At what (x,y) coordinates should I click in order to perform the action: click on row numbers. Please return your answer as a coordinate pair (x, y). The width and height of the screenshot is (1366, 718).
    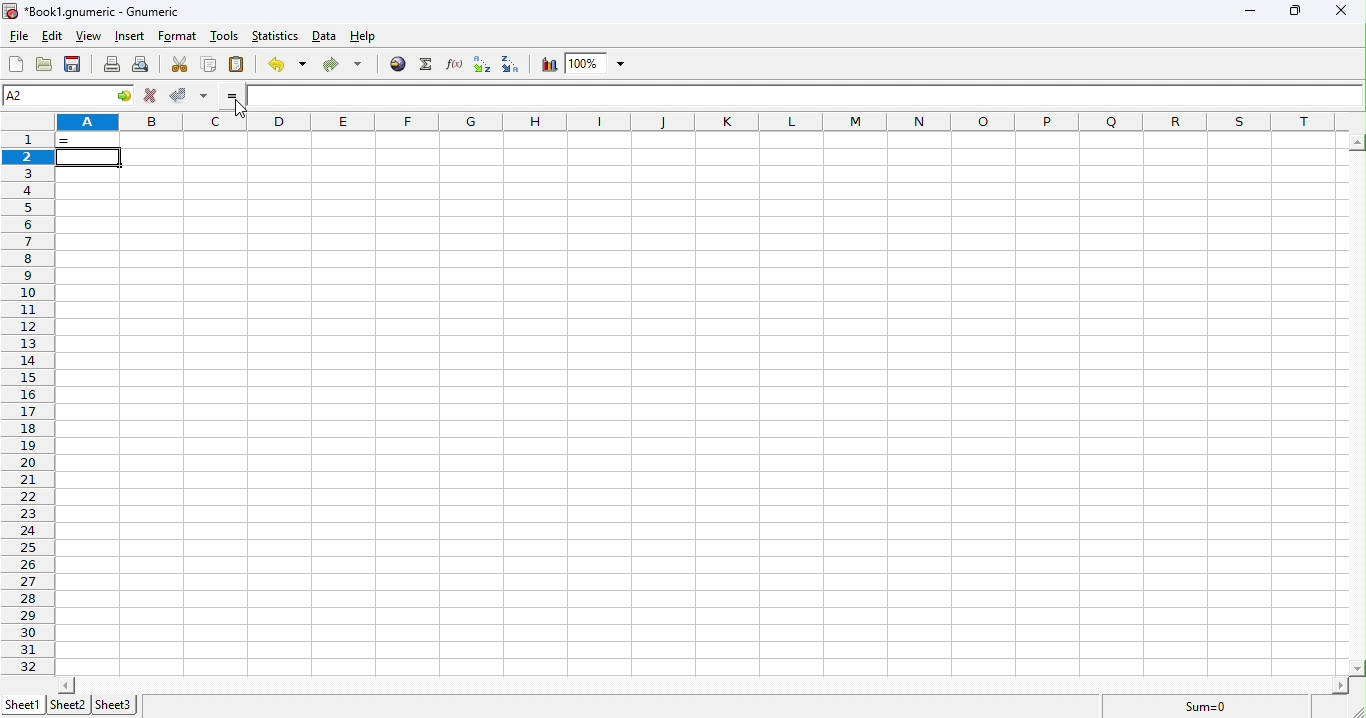
    Looking at the image, I should click on (29, 403).